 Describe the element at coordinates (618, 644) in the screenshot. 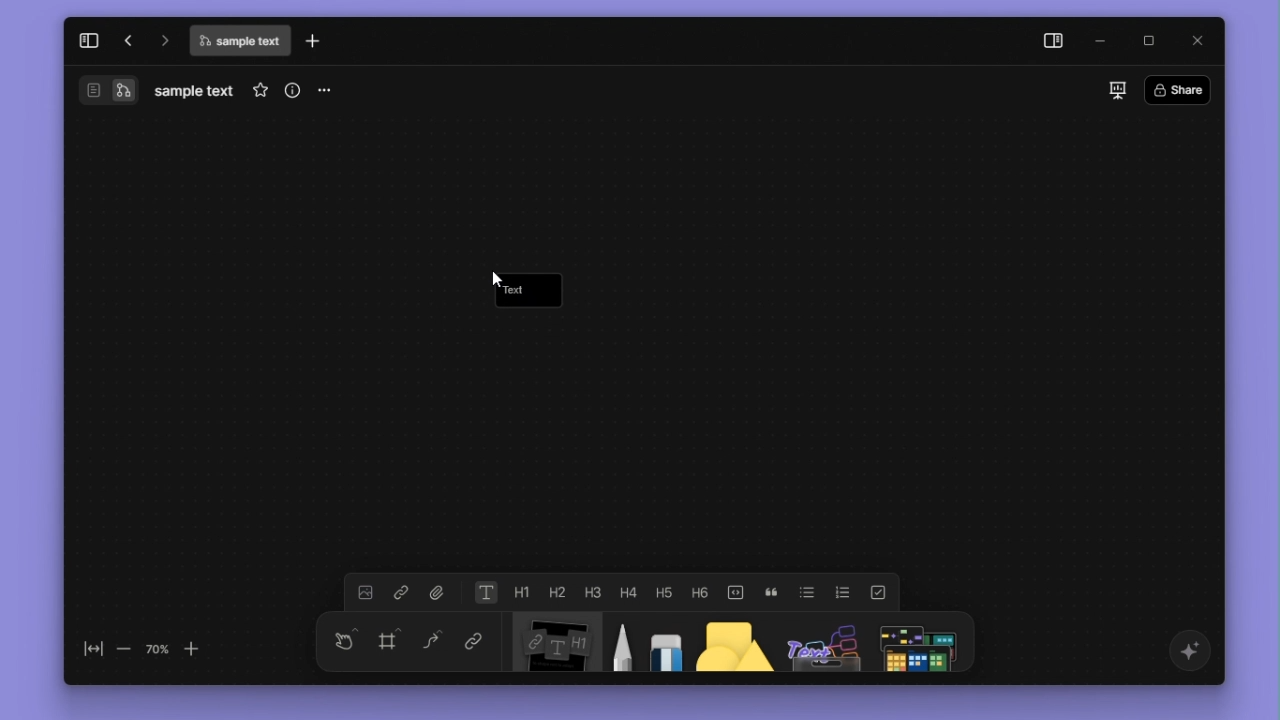

I see `pen` at that location.